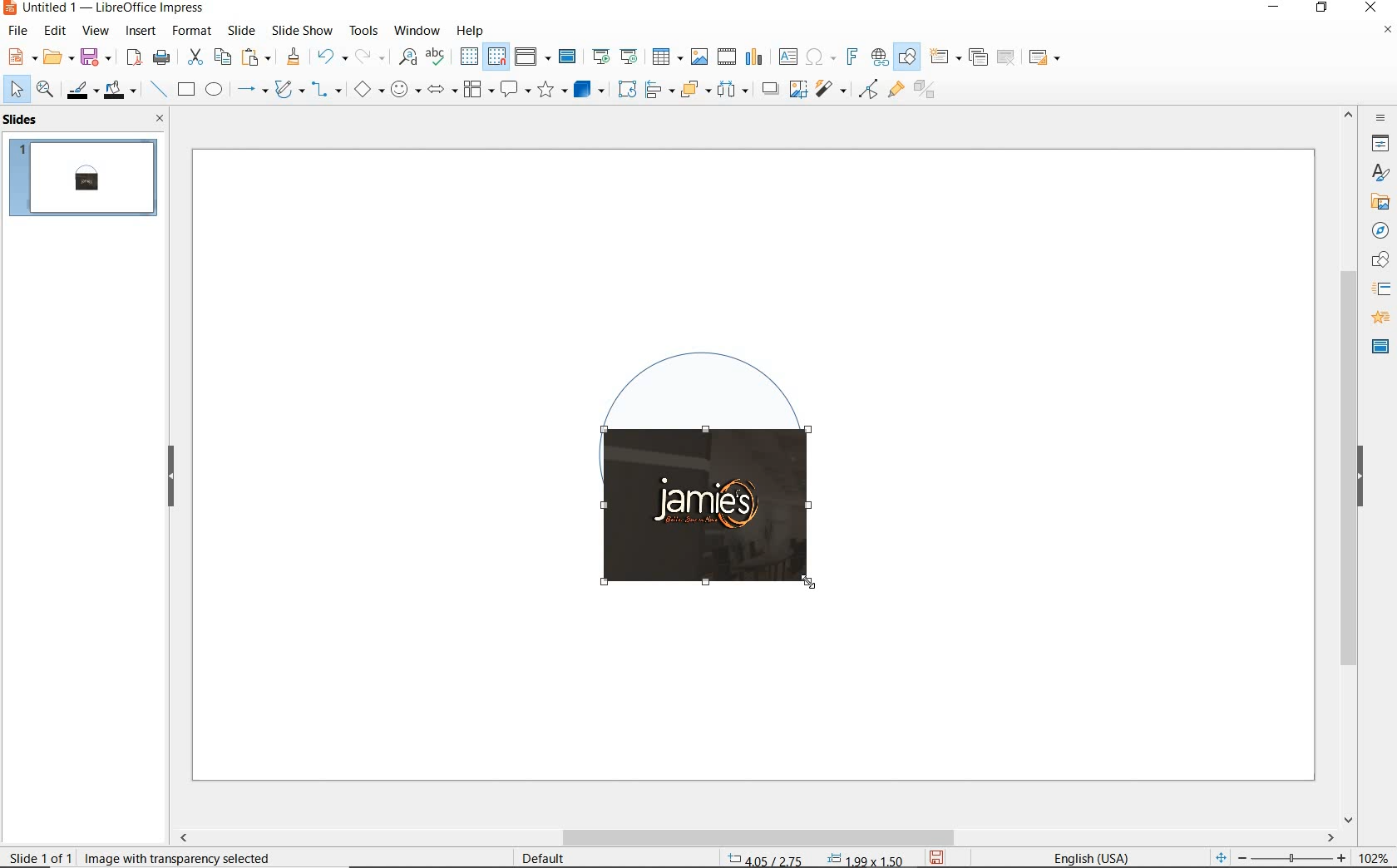 This screenshot has height=868, width=1397. Describe the element at coordinates (733, 90) in the screenshot. I see `select at least three objects to distribute` at that location.